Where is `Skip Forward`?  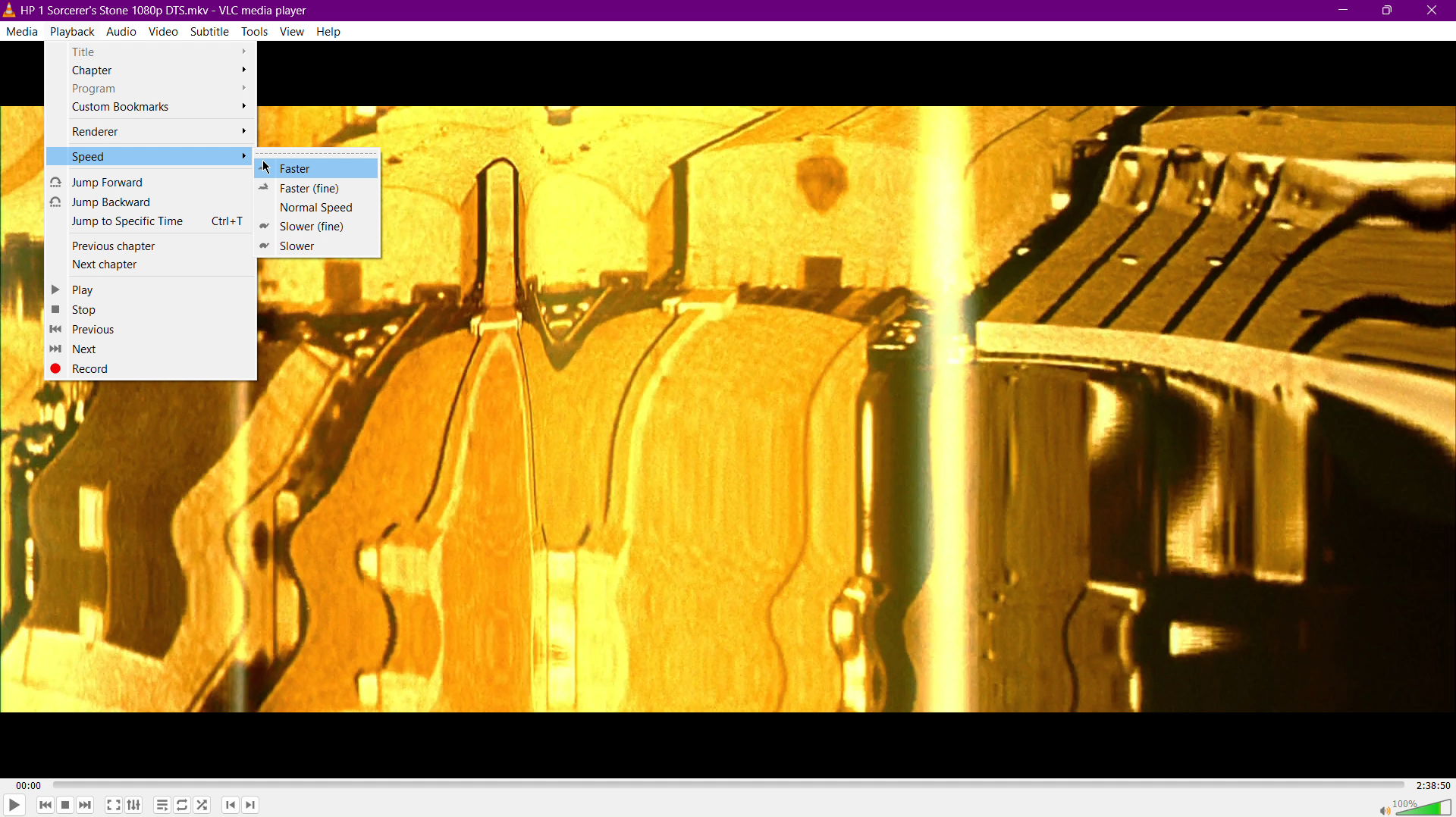 Skip Forward is located at coordinates (88, 806).